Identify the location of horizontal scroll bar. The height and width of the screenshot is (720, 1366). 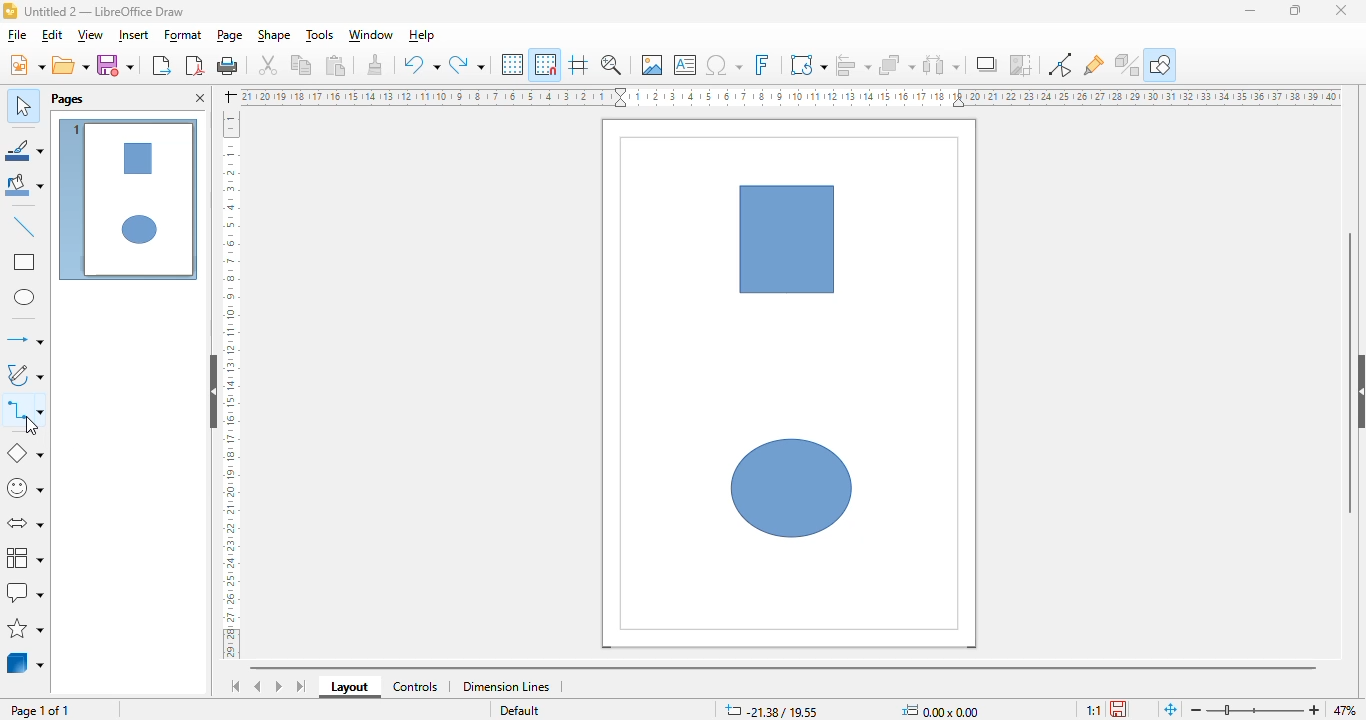
(787, 665).